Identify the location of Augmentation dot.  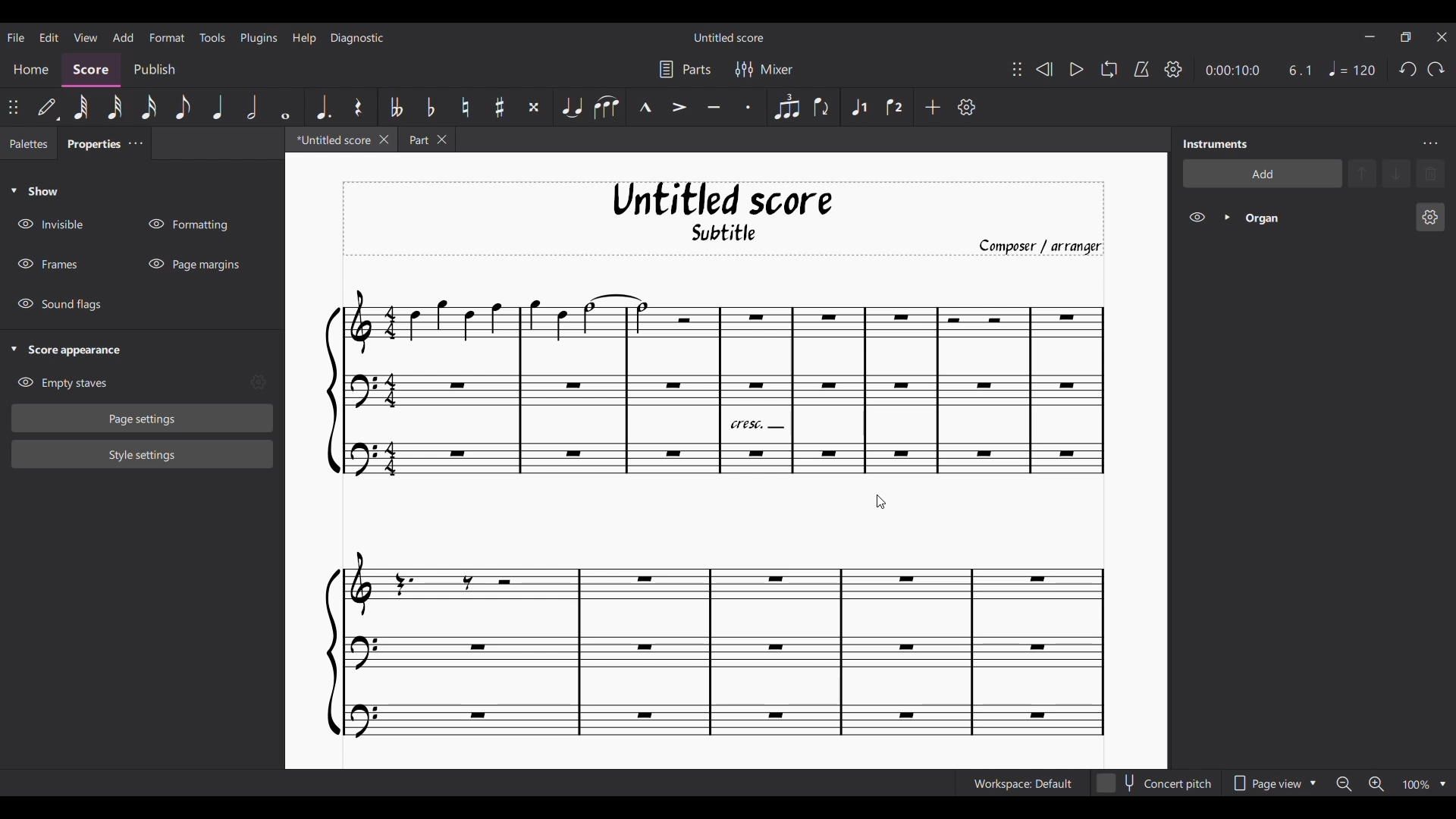
(322, 107).